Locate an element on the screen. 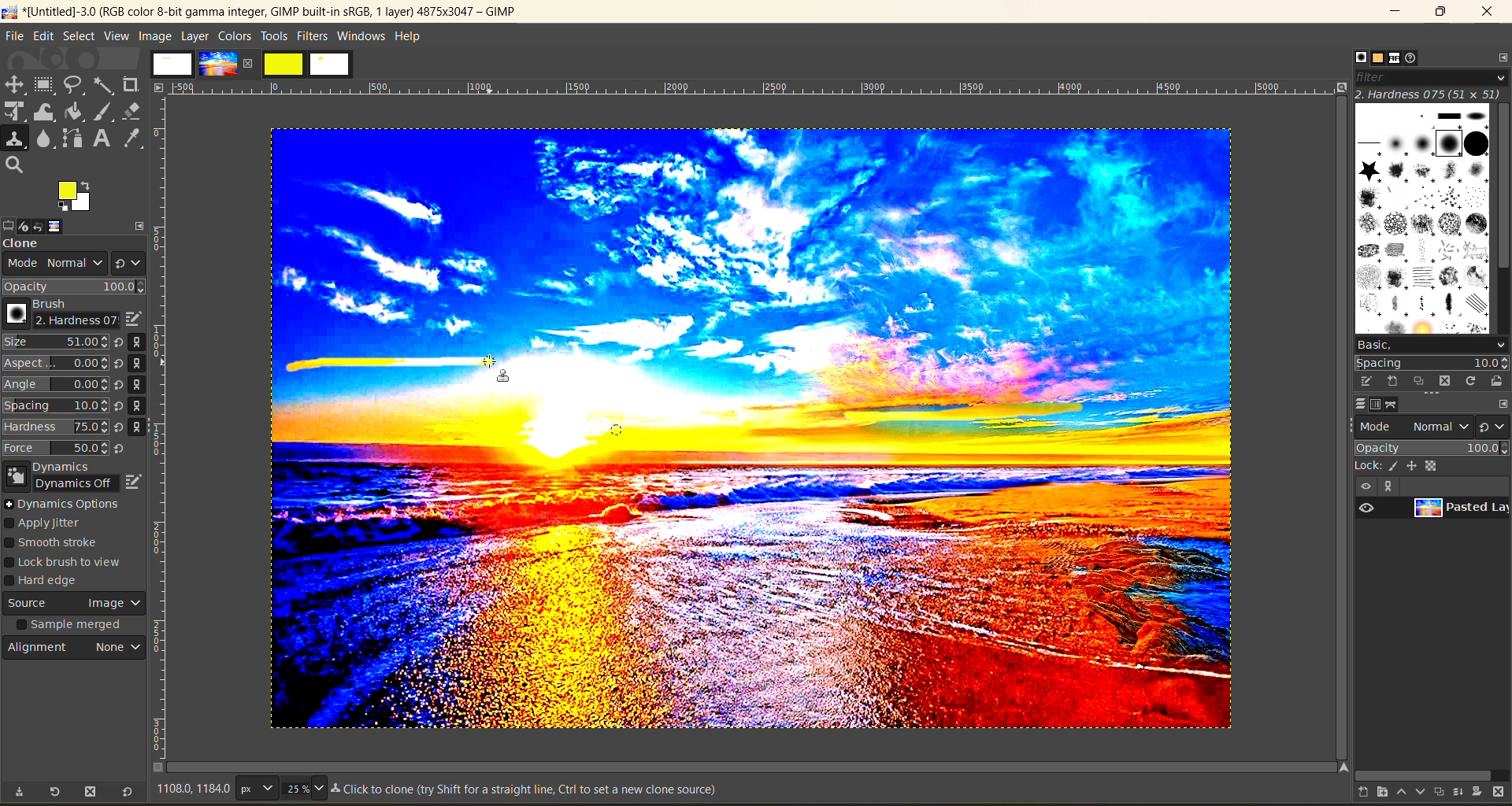 This screenshot has width=1512, height=806. maximize is located at coordinates (1440, 13).